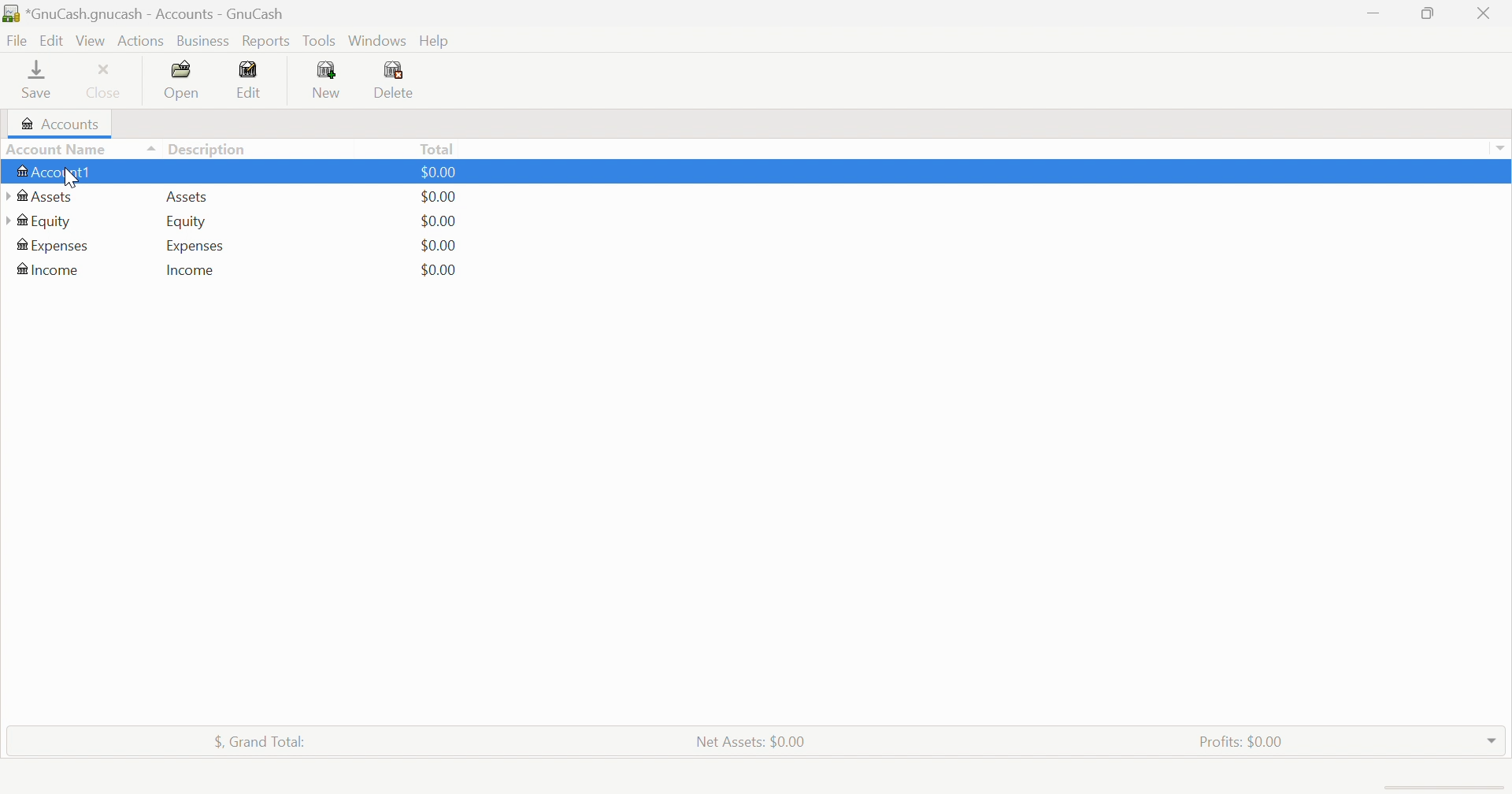 This screenshot has width=1512, height=794. Describe the element at coordinates (436, 42) in the screenshot. I see `Help` at that location.